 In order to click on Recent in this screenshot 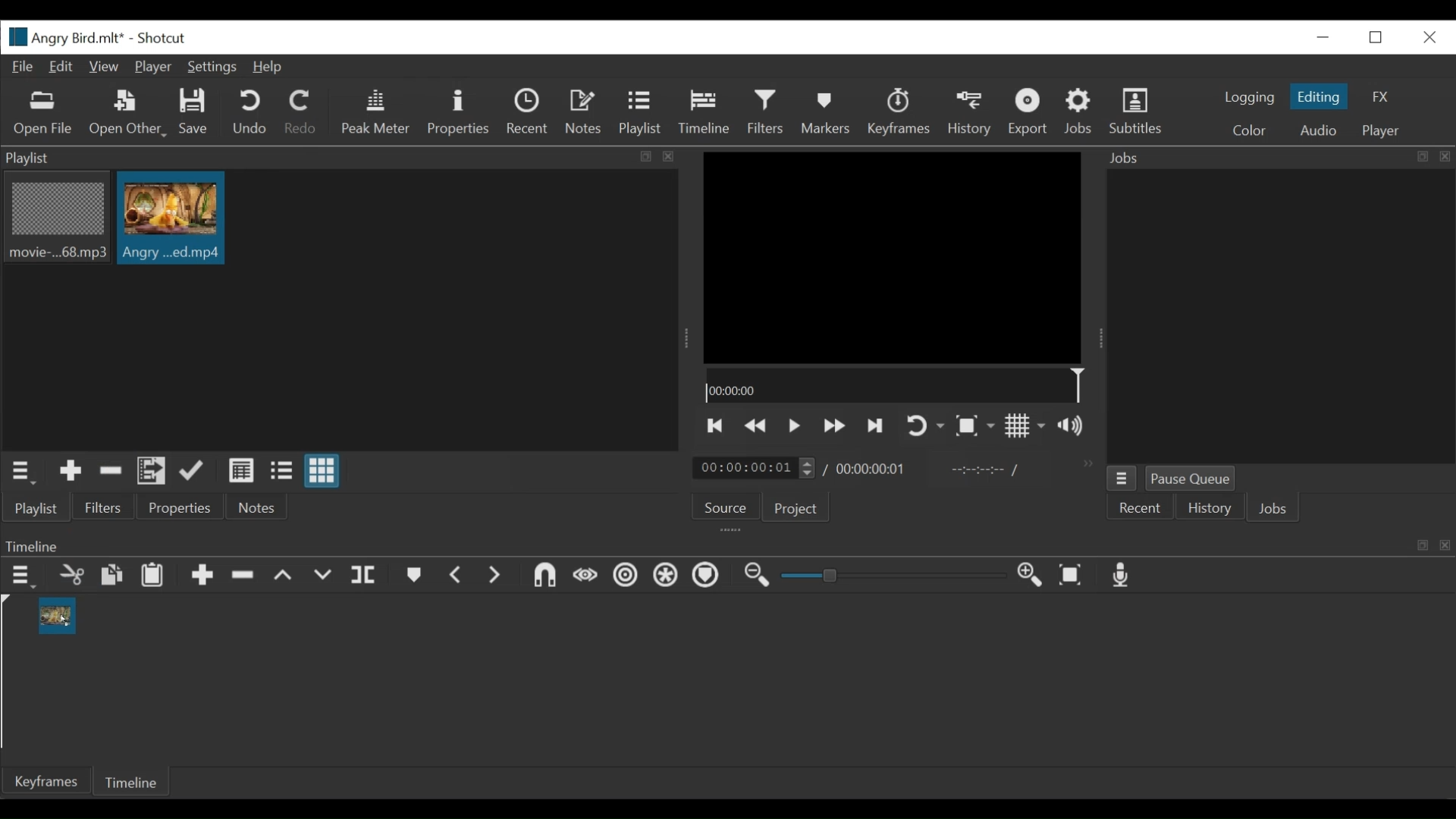, I will do `click(1141, 507)`.